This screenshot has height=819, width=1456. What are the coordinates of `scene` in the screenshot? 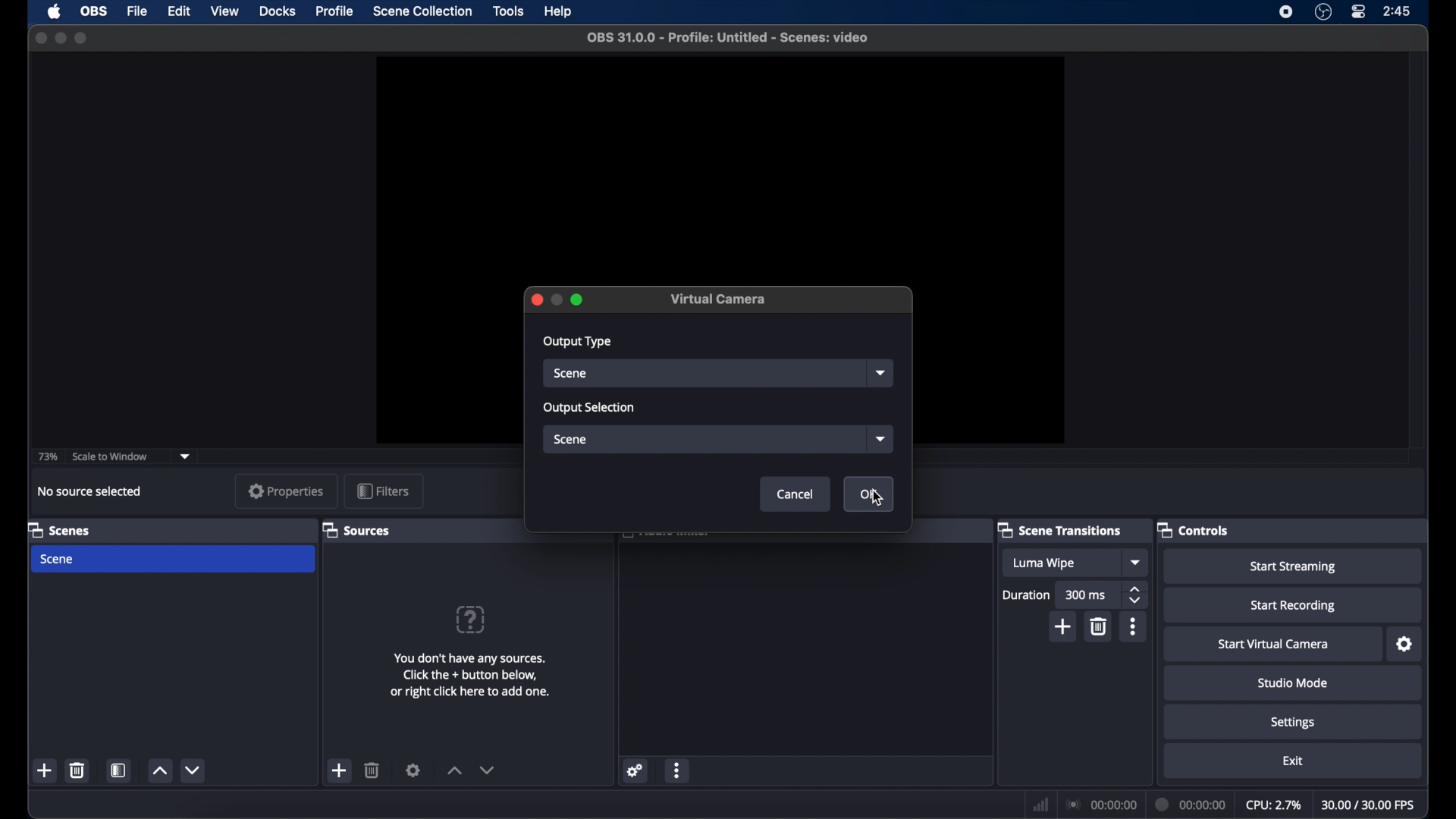 It's located at (173, 560).